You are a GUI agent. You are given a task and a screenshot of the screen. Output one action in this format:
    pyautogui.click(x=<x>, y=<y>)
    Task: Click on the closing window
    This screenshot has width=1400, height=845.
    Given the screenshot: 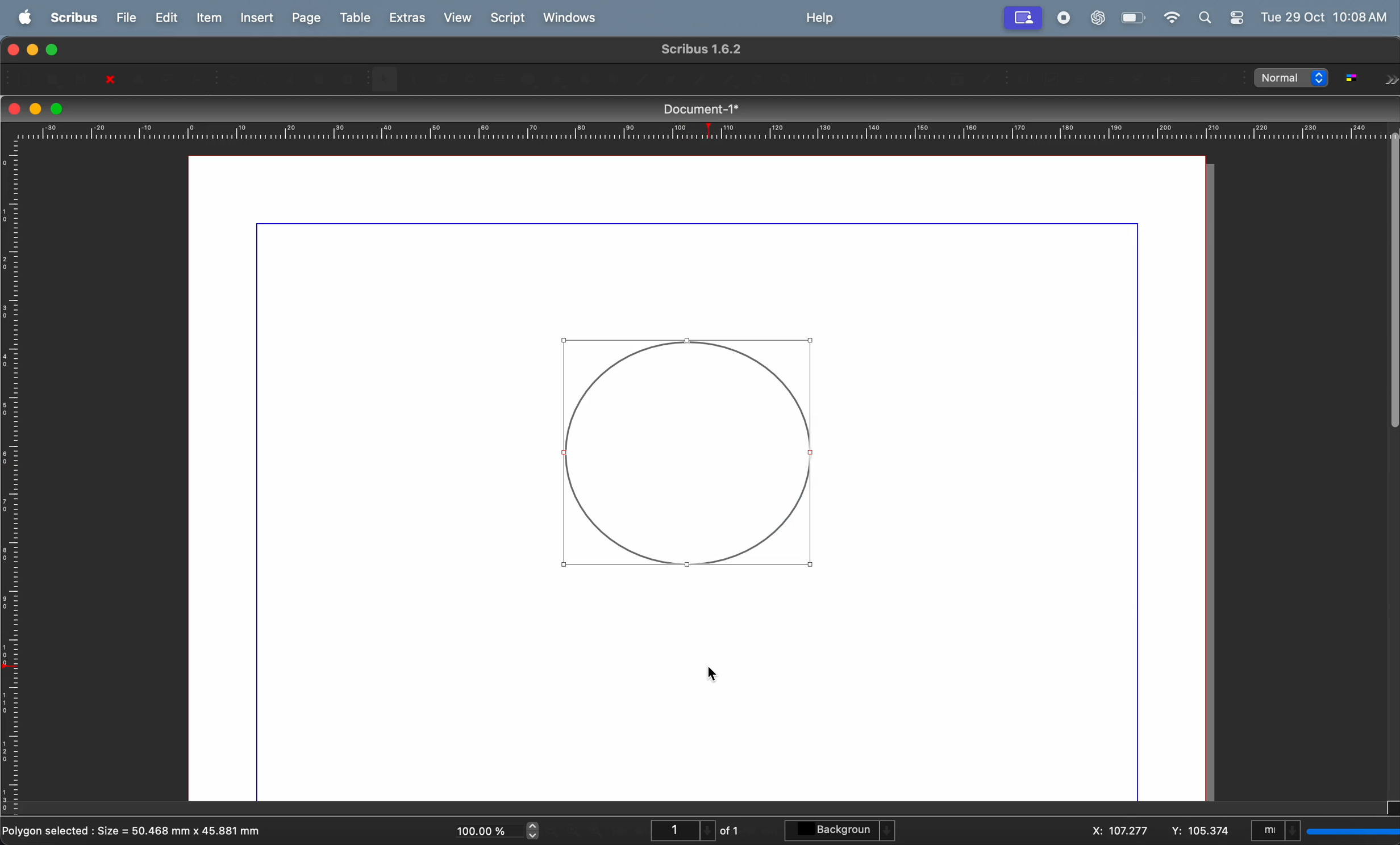 What is the action you would take?
    pyautogui.click(x=13, y=49)
    